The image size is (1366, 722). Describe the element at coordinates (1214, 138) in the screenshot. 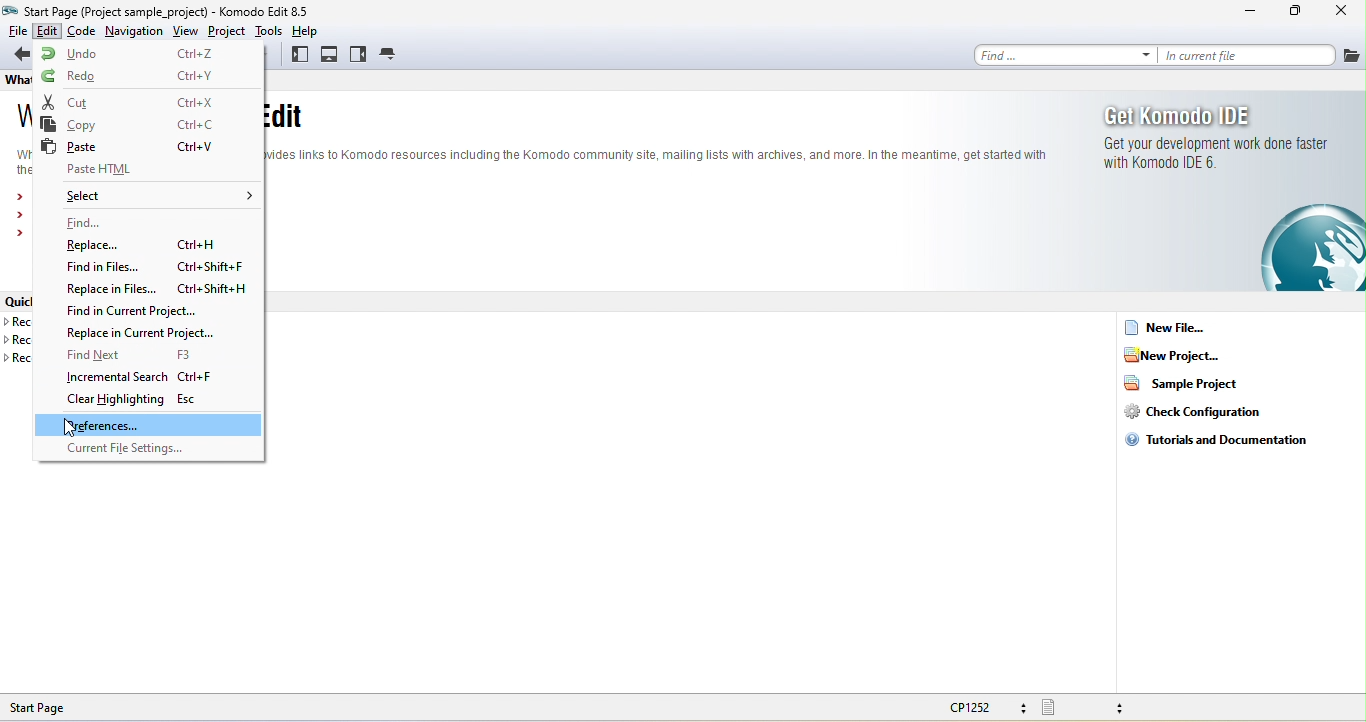

I see `get komodo ide` at that location.